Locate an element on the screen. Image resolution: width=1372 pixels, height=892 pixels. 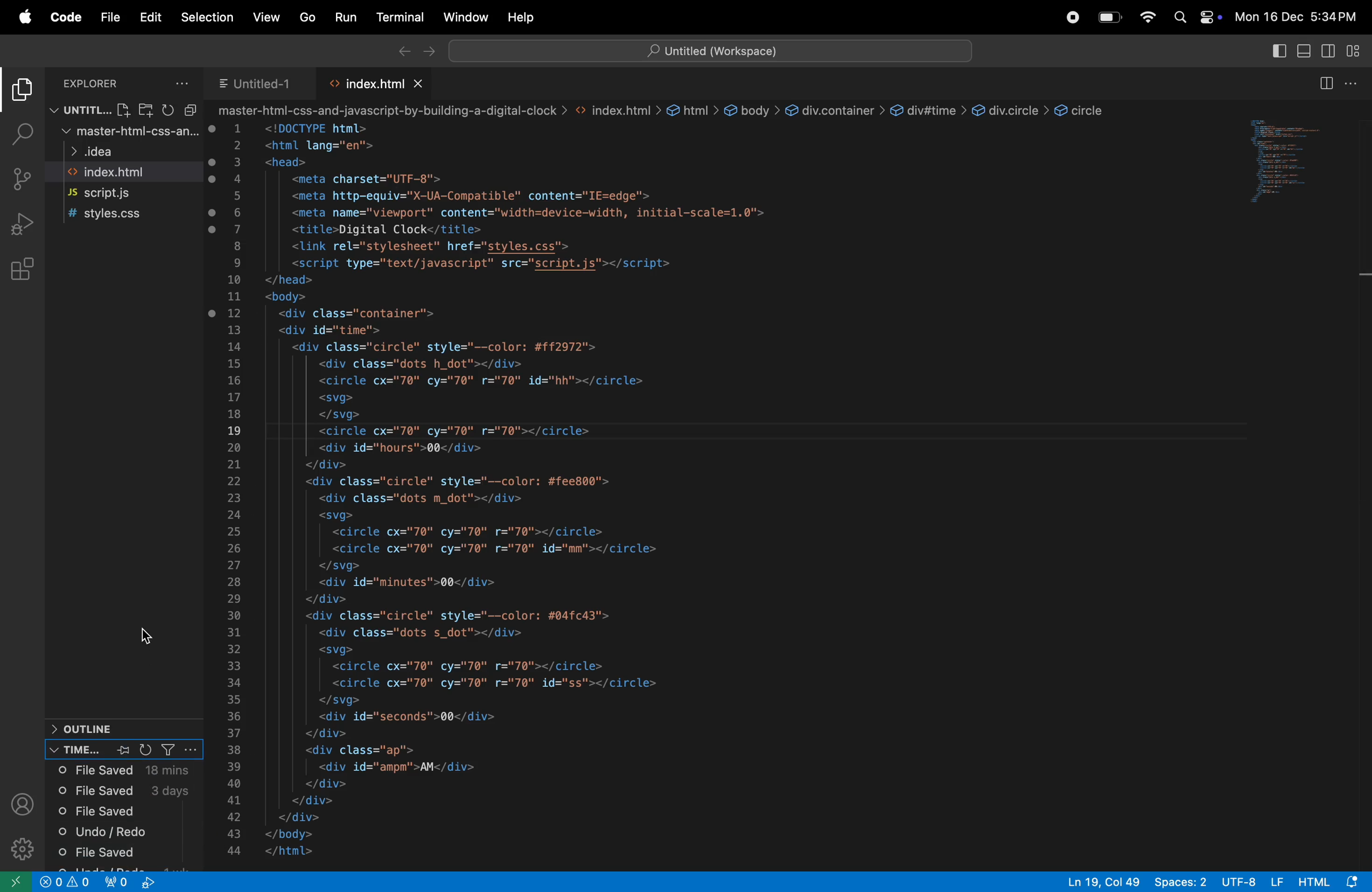
apple widgets is located at coordinates (1197, 18).